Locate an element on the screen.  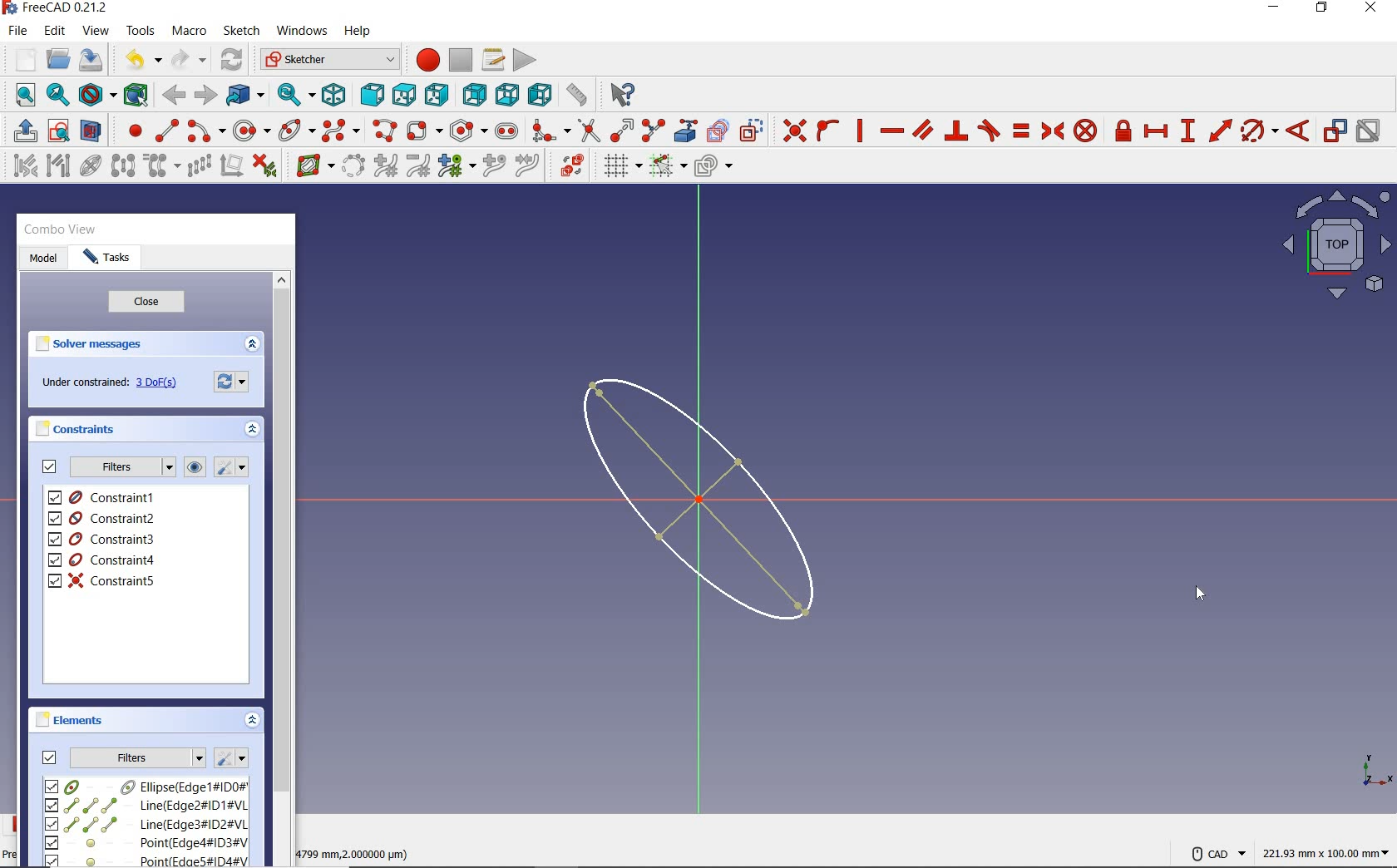
constrin lock is located at coordinates (1124, 131).